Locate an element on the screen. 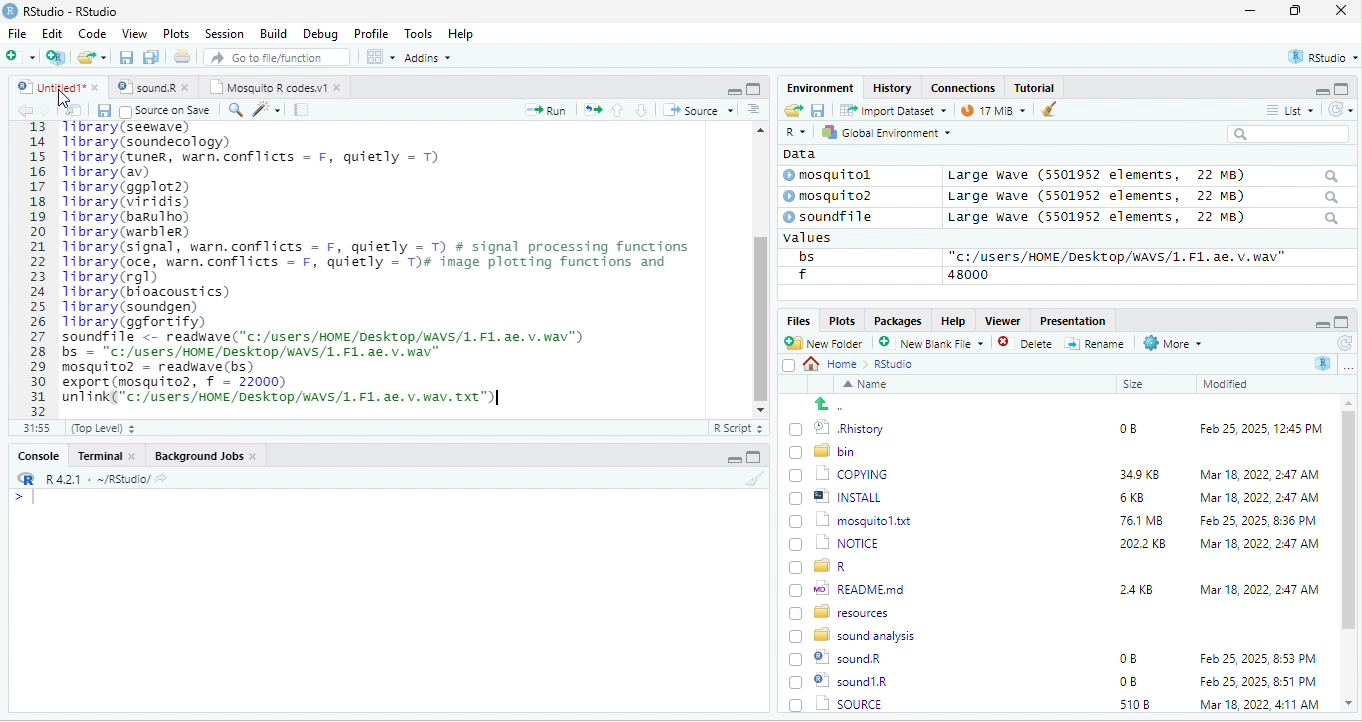  Feb 25, 2025, 8:36 PM is located at coordinates (1254, 520).